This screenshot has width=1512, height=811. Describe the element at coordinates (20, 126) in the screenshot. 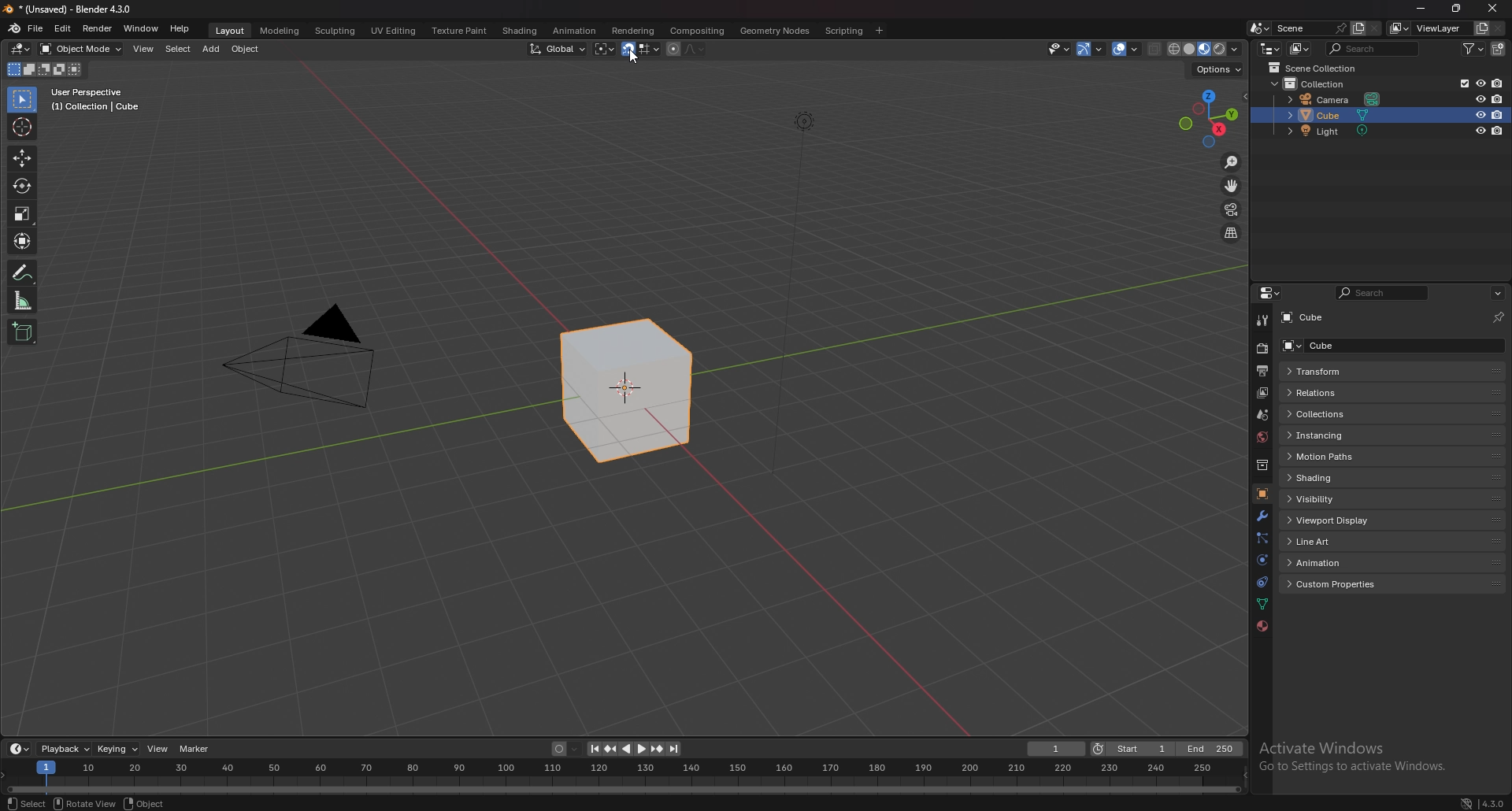

I see `cursor` at that location.